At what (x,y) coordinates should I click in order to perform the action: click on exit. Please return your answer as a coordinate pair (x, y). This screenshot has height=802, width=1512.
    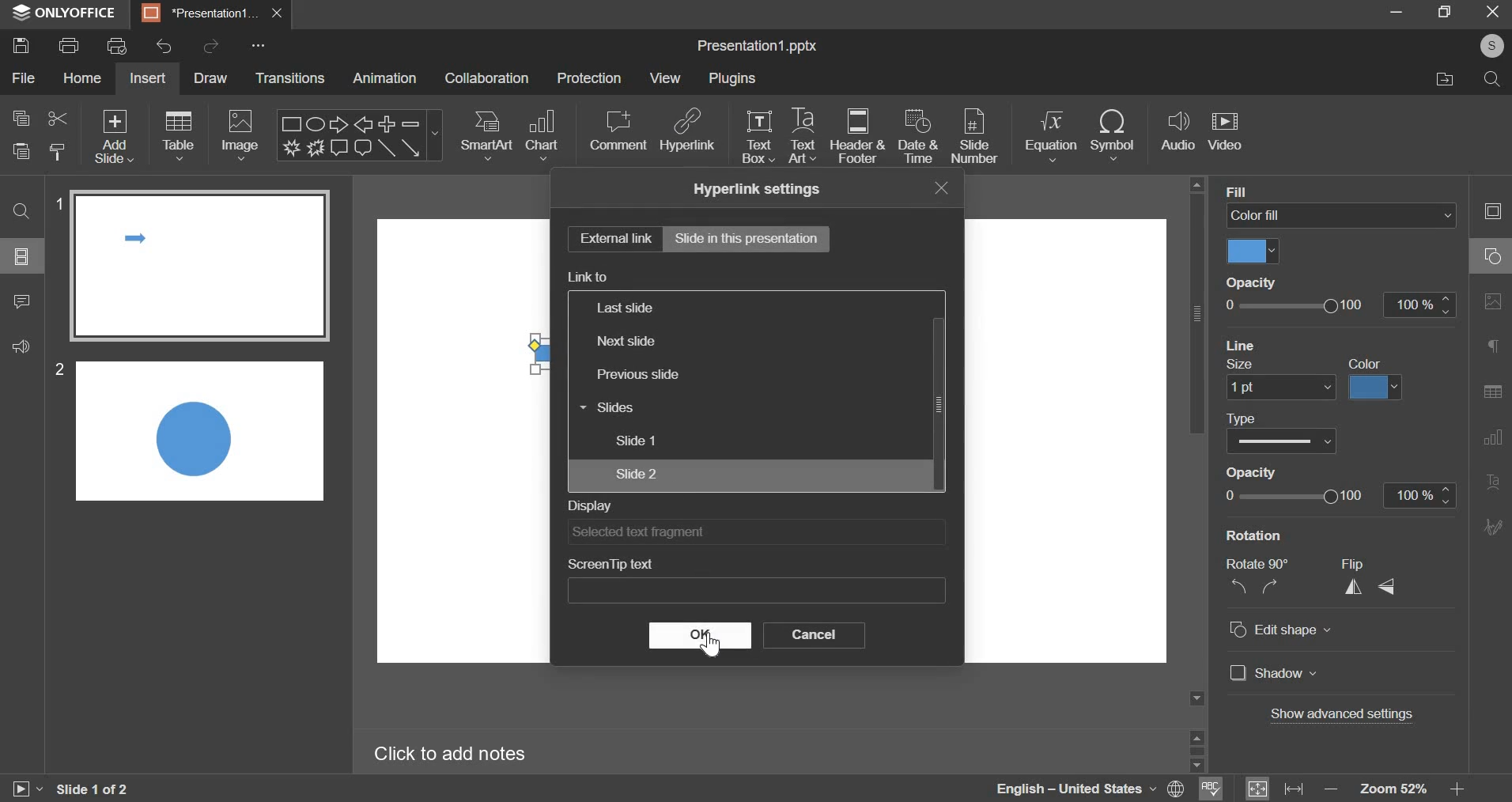
    Looking at the image, I should click on (941, 187).